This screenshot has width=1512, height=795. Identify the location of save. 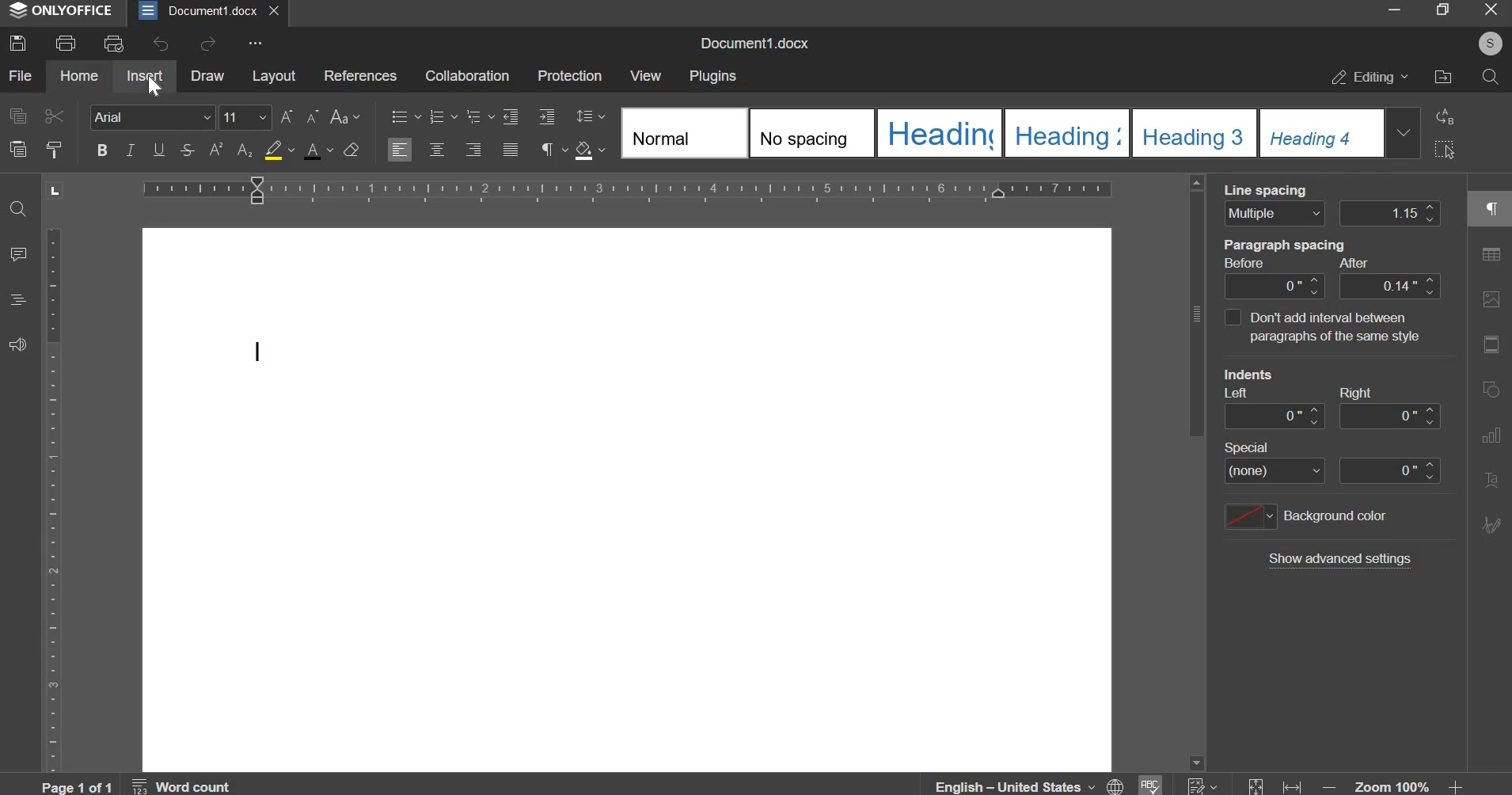
(19, 45).